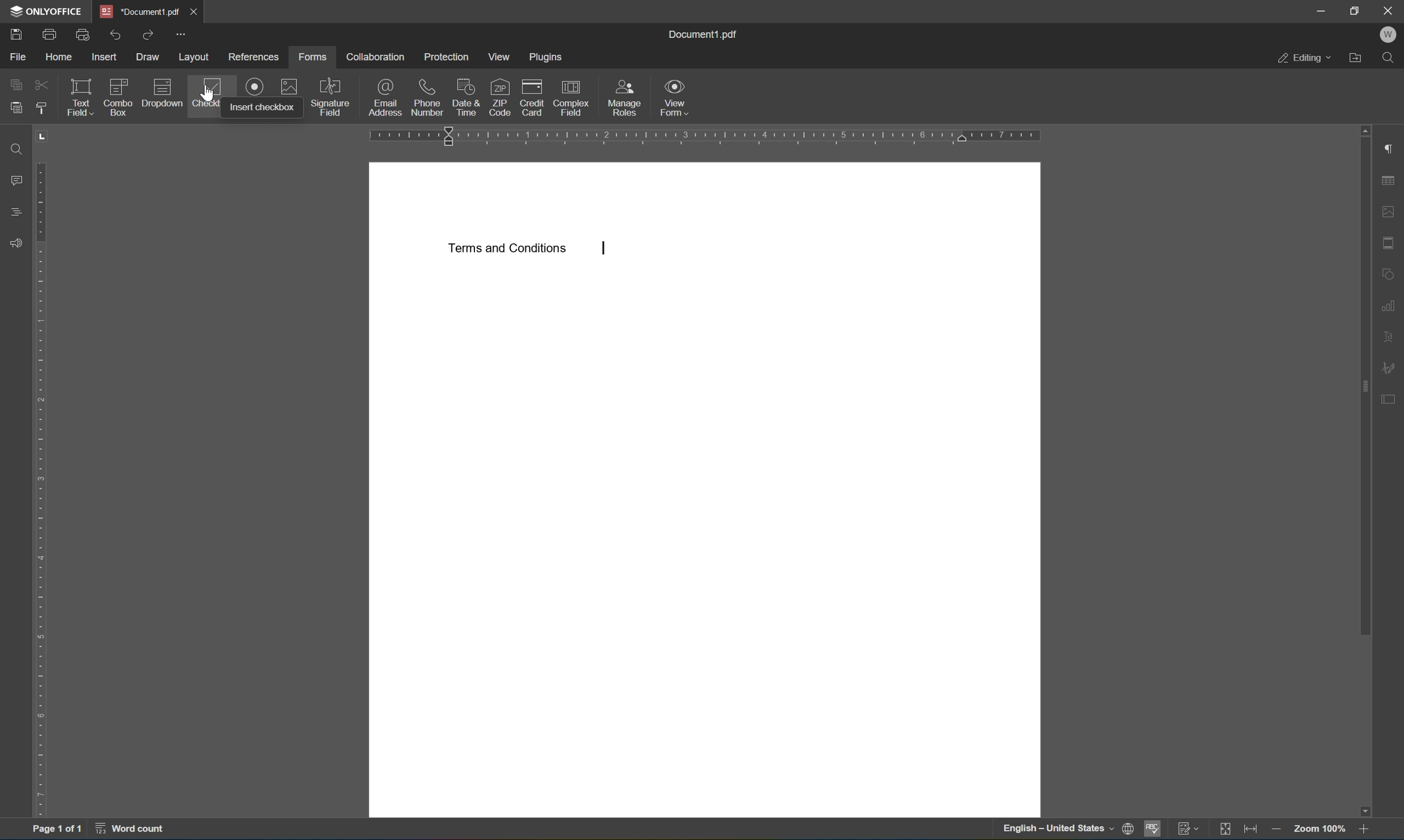  I want to click on find, so click(15, 148).